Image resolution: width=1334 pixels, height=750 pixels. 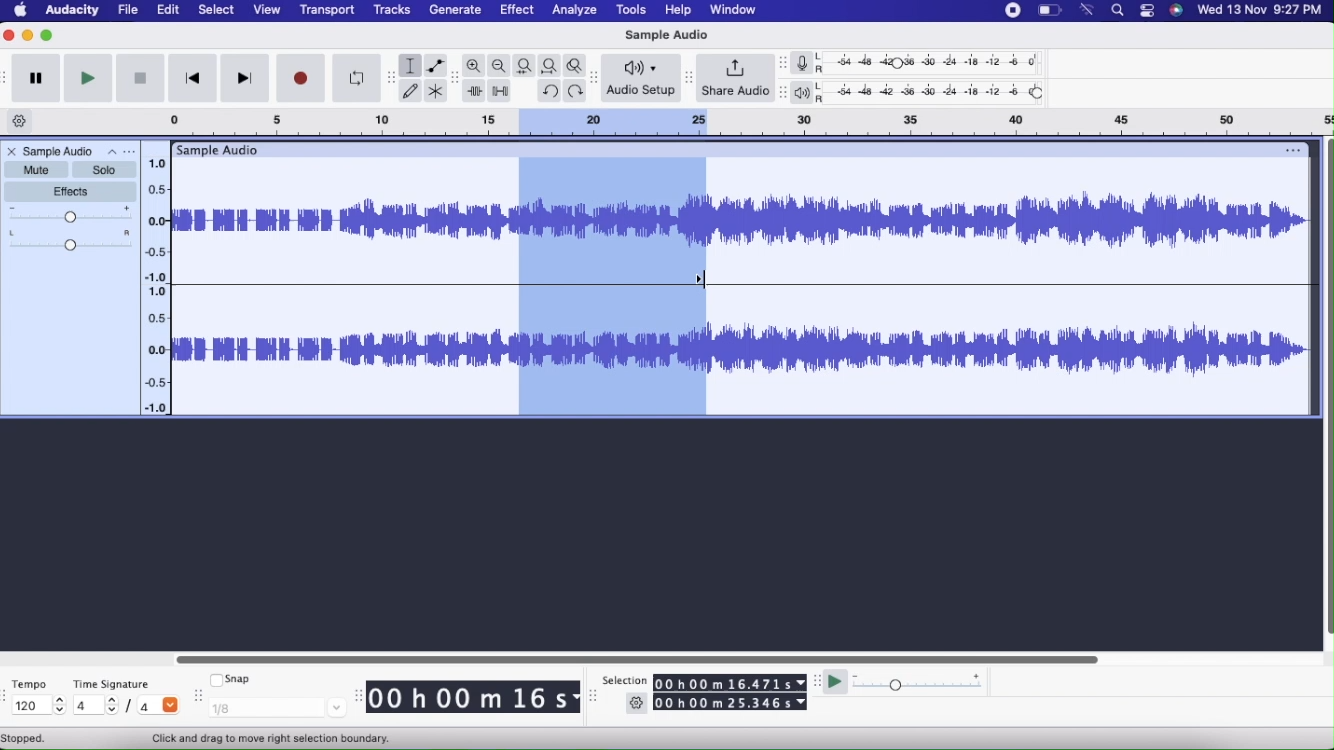 I want to click on Zoom out, so click(x=500, y=66).